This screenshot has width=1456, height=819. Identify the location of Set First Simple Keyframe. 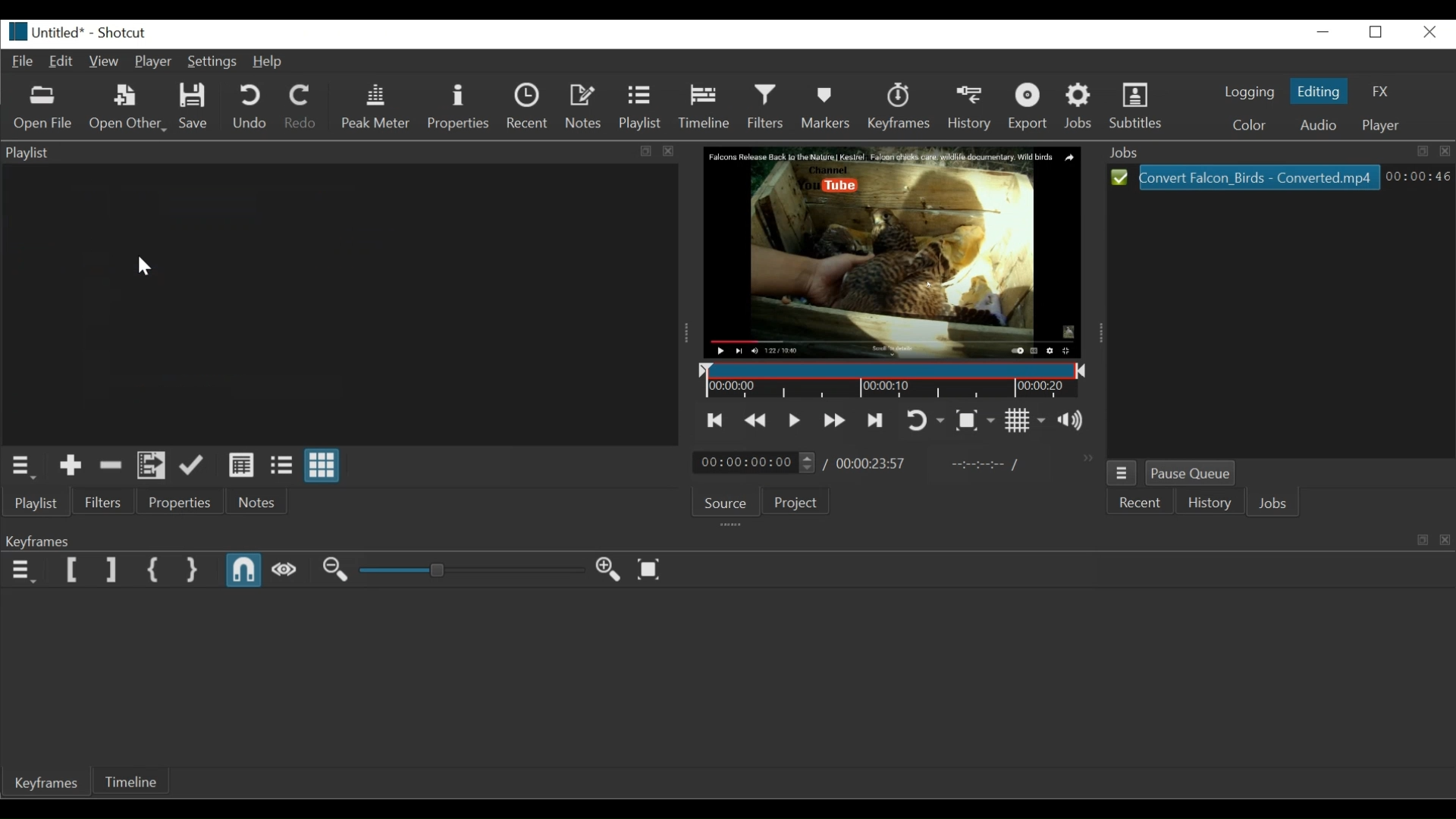
(156, 571).